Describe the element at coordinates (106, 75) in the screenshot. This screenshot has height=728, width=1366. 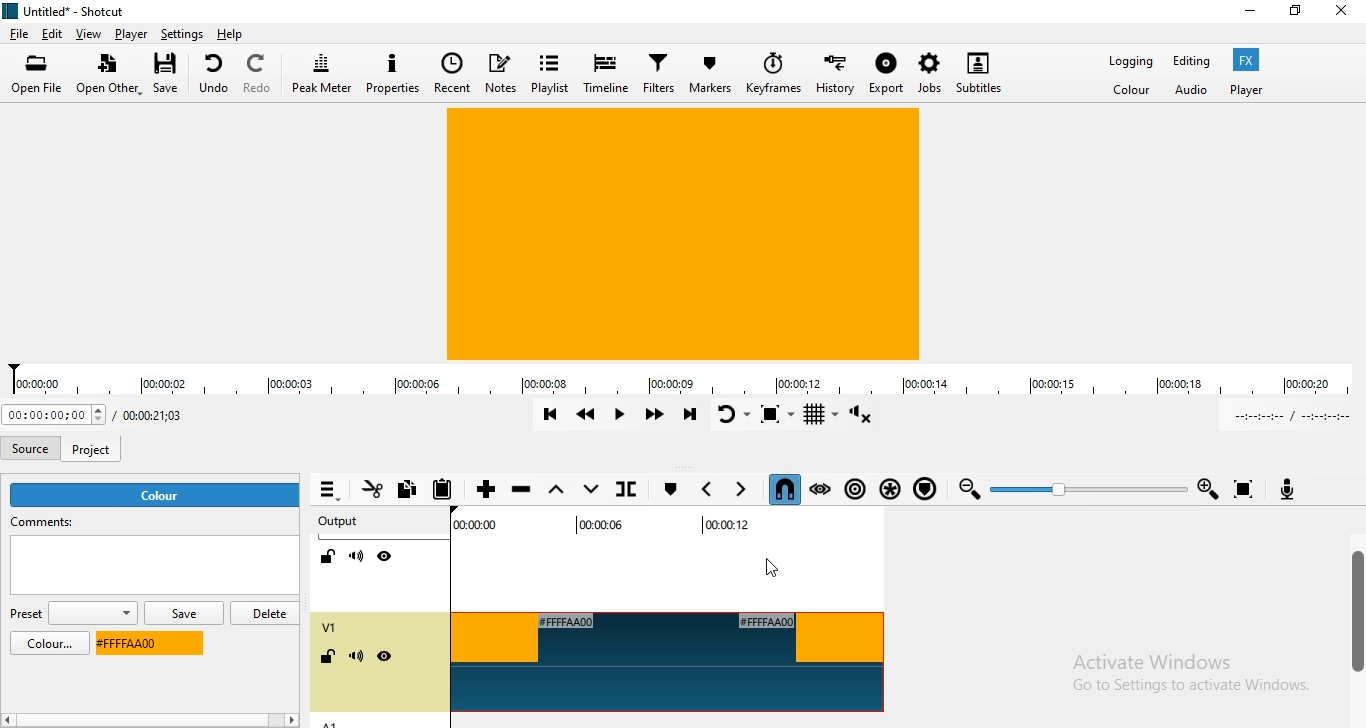
I see `Open other ` at that location.